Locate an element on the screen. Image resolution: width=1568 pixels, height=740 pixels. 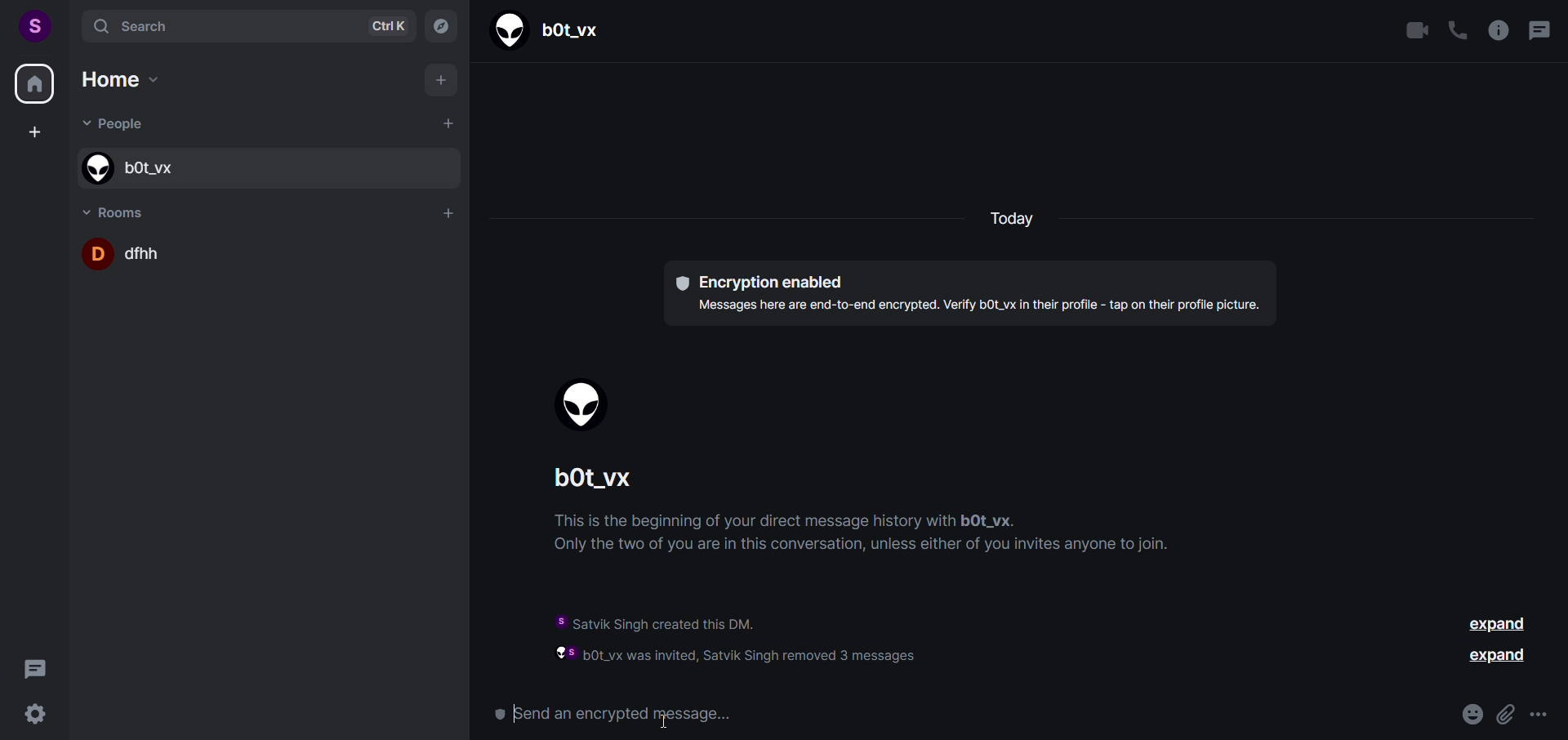
options is located at coordinates (1539, 715).